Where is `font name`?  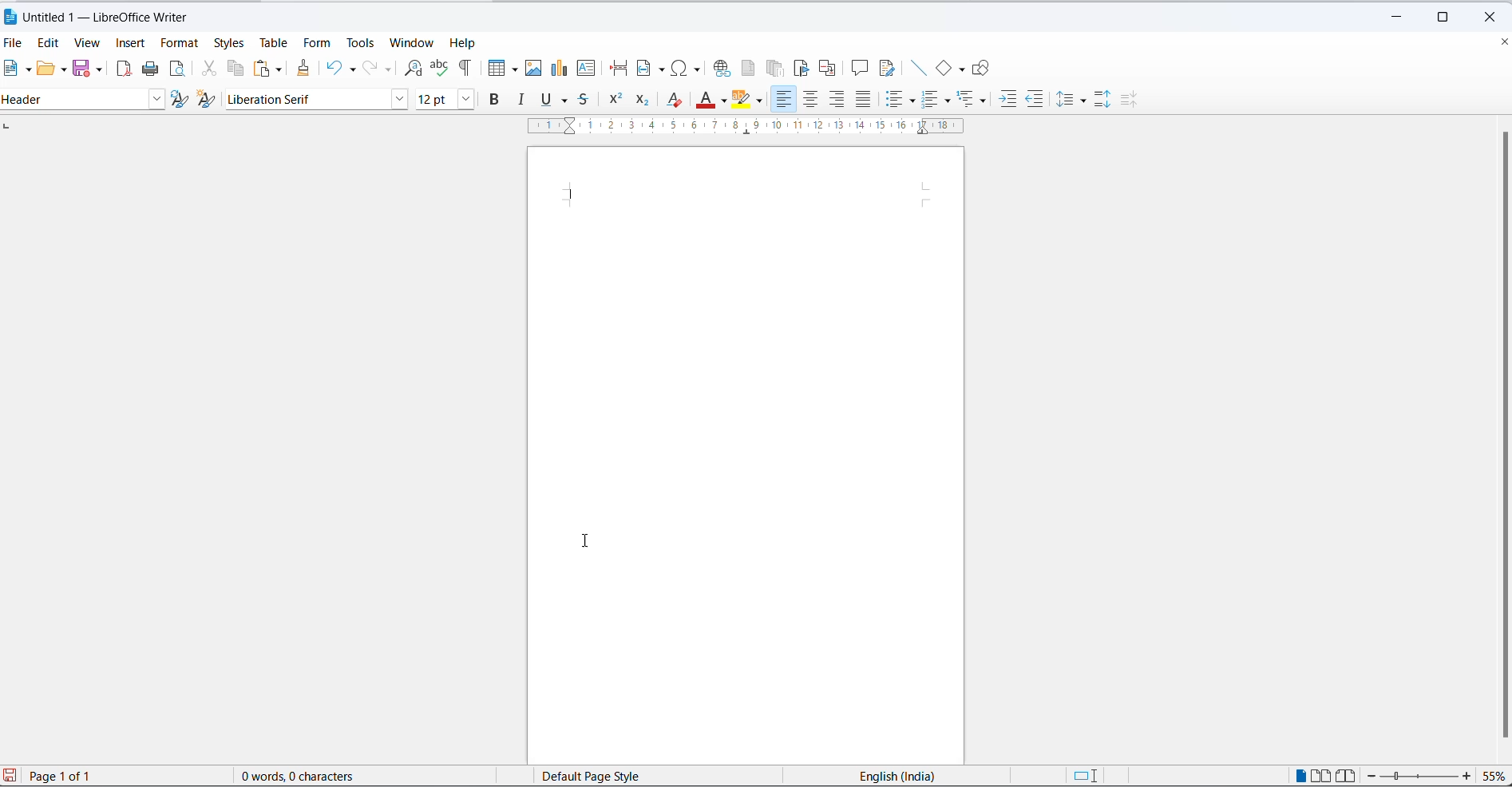 font name is located at coordinates (304, 100).